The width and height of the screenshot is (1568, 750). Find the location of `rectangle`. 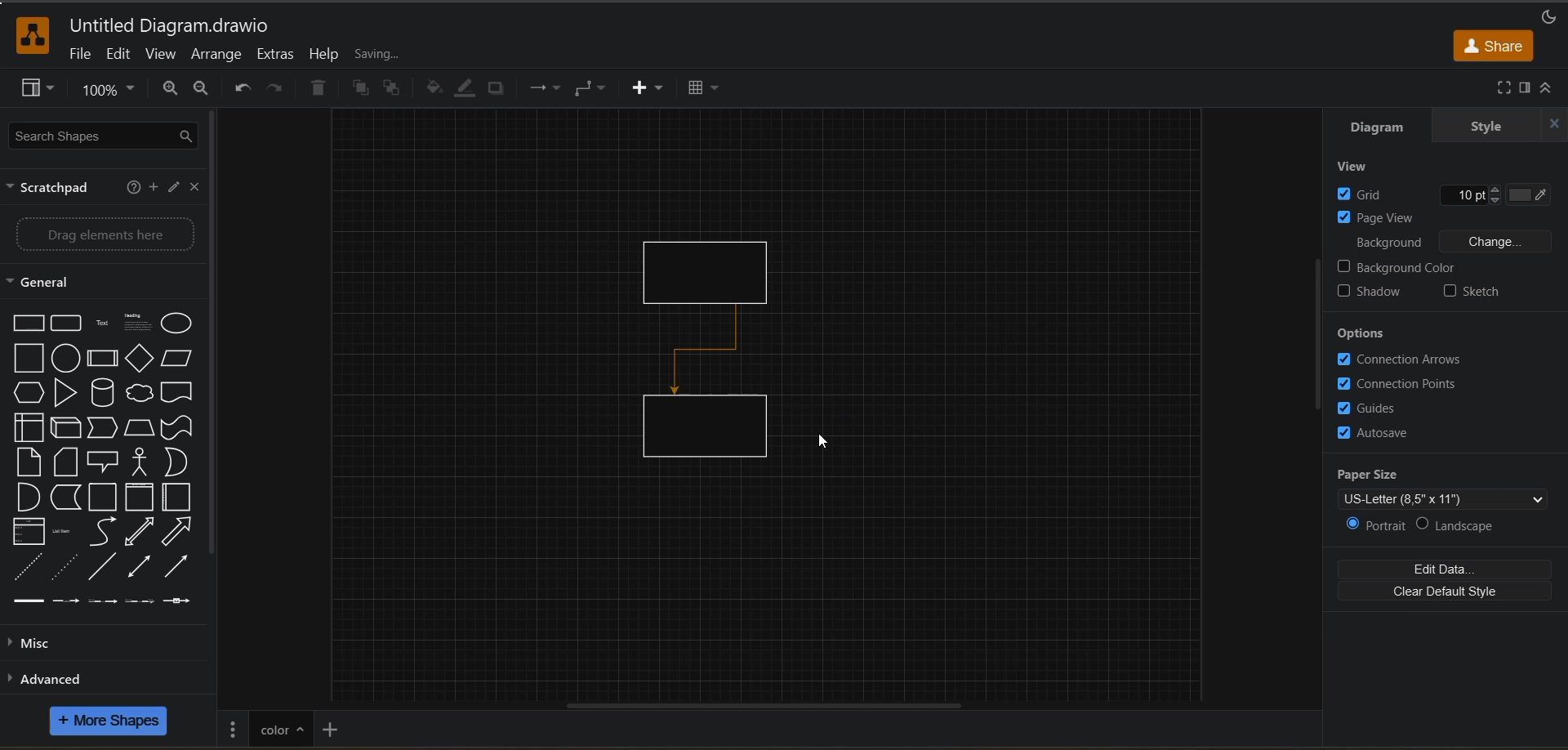

rectangle is located at coordinates (713, 268).